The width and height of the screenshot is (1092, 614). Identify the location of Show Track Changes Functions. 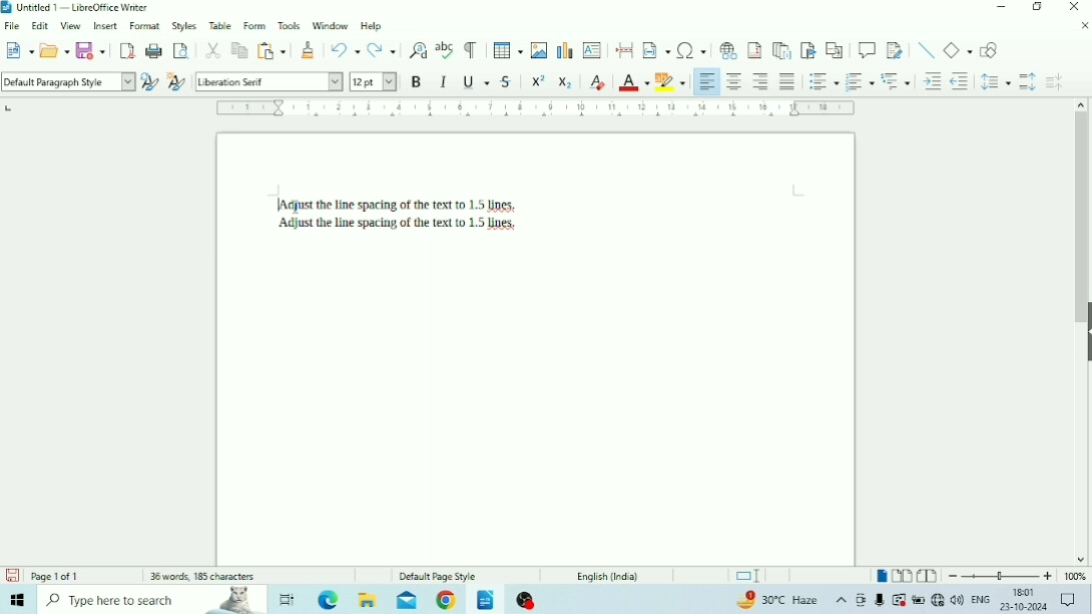
(895, 48).